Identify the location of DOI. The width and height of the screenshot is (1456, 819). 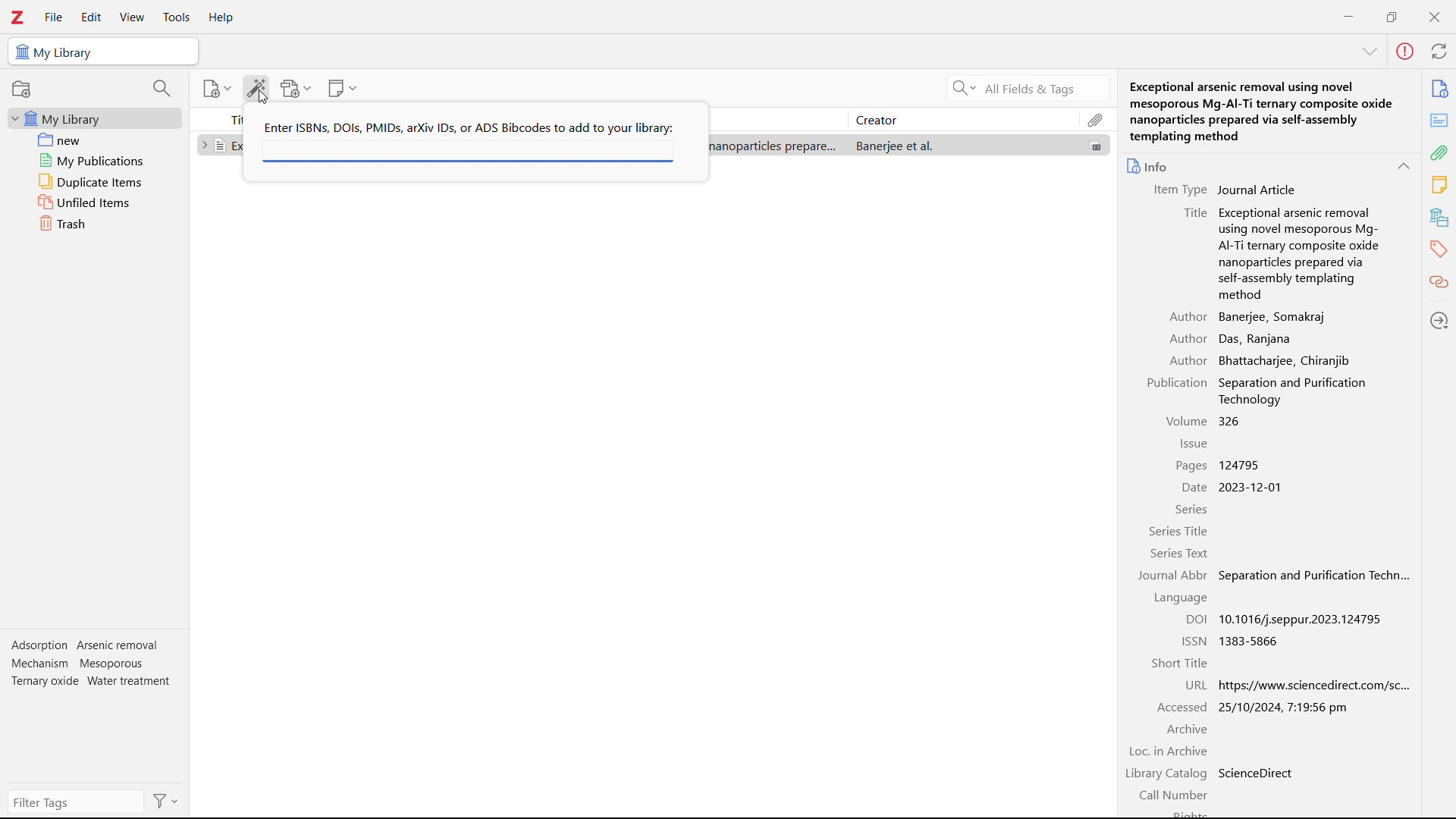
(1197, 619).